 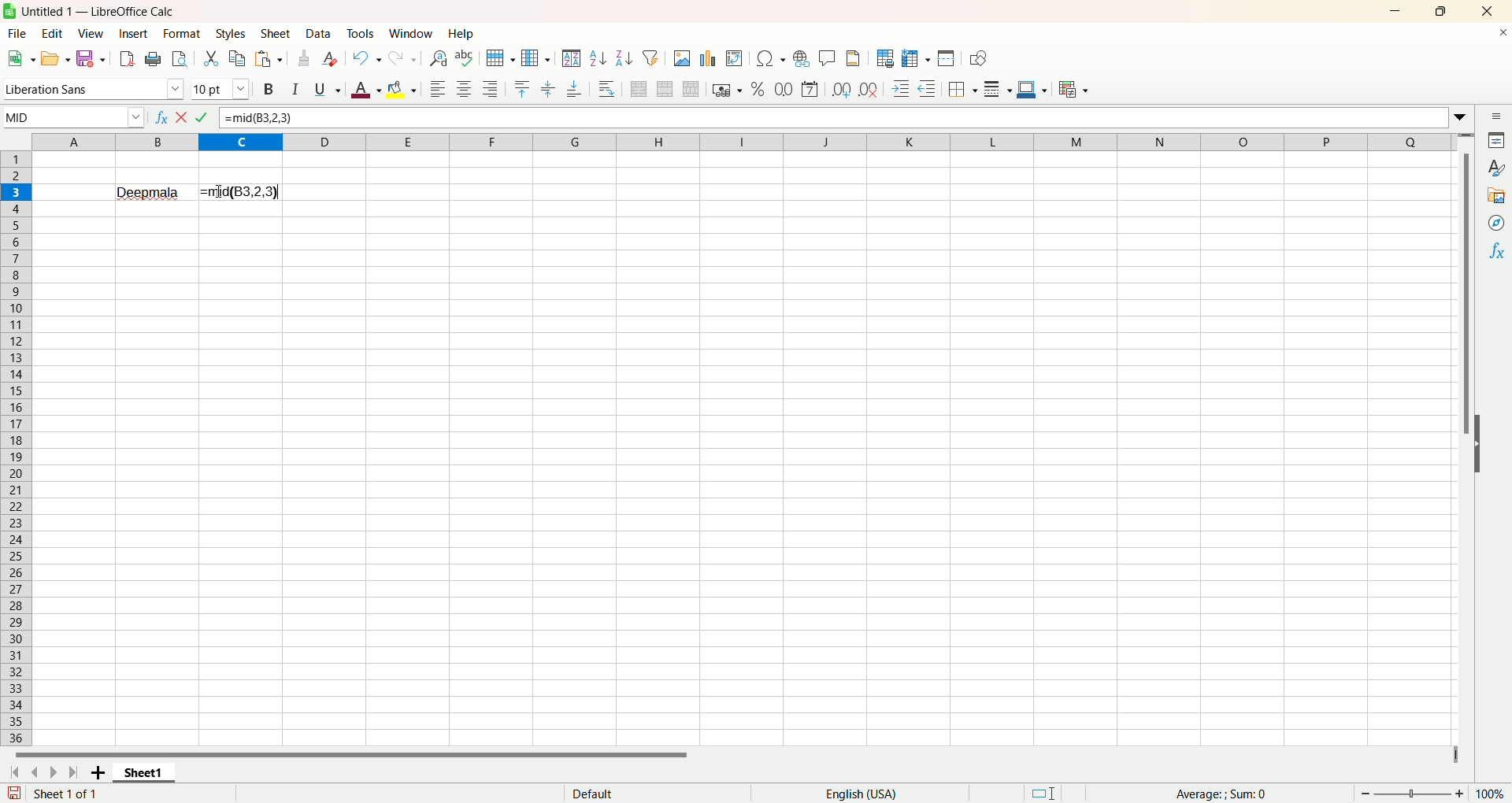 I want to click on select function, so click(x=183, y=117).